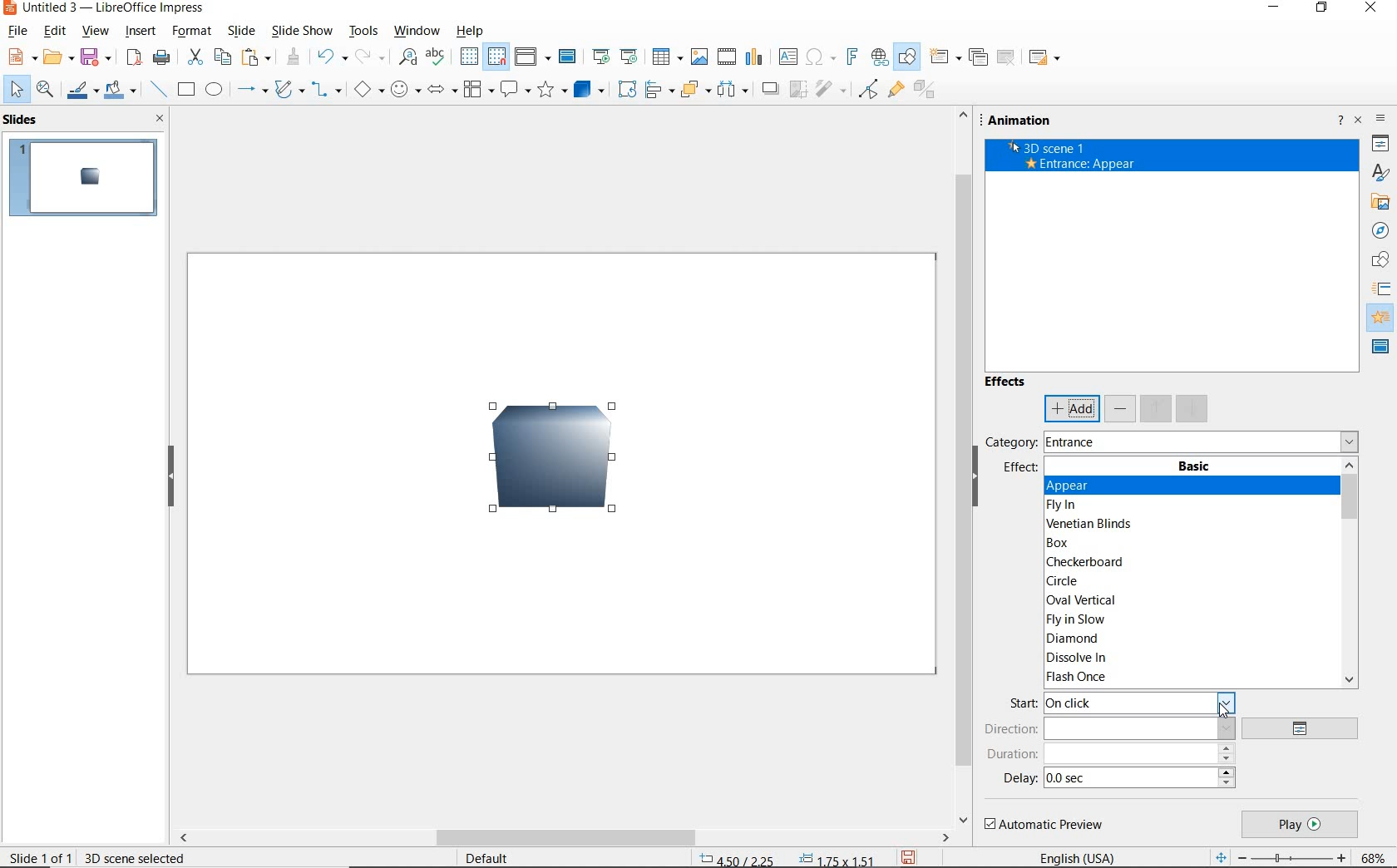 The image size is (1397, 868). What do you see at coordinates (1306, 729) in the screenshot?
I see `options` at bounding box center [1306, 729].